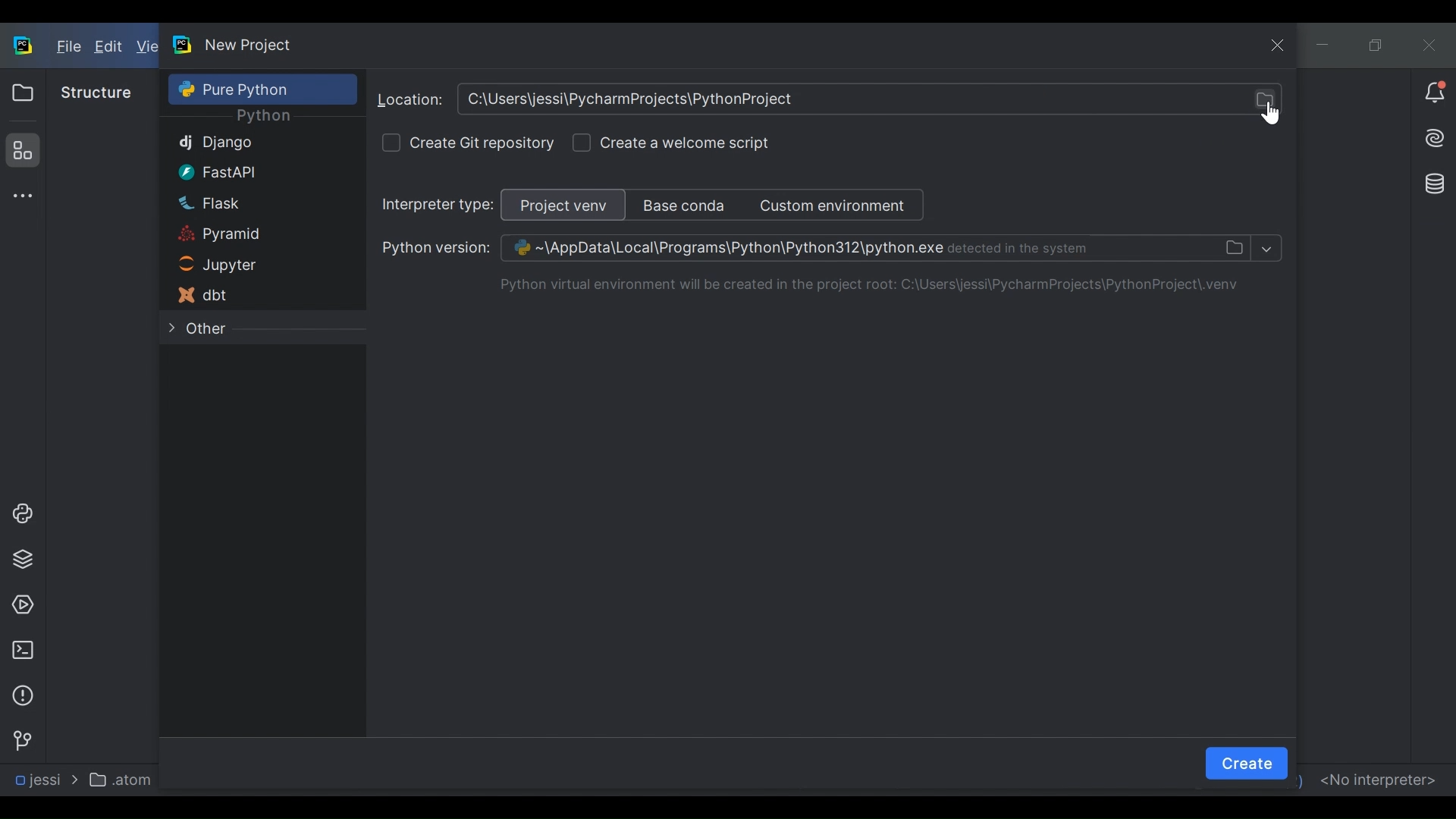 The image size is (1456, 819). Describe the element at coordinates (1266, 247) in the screenshot. I see `show` at that location.